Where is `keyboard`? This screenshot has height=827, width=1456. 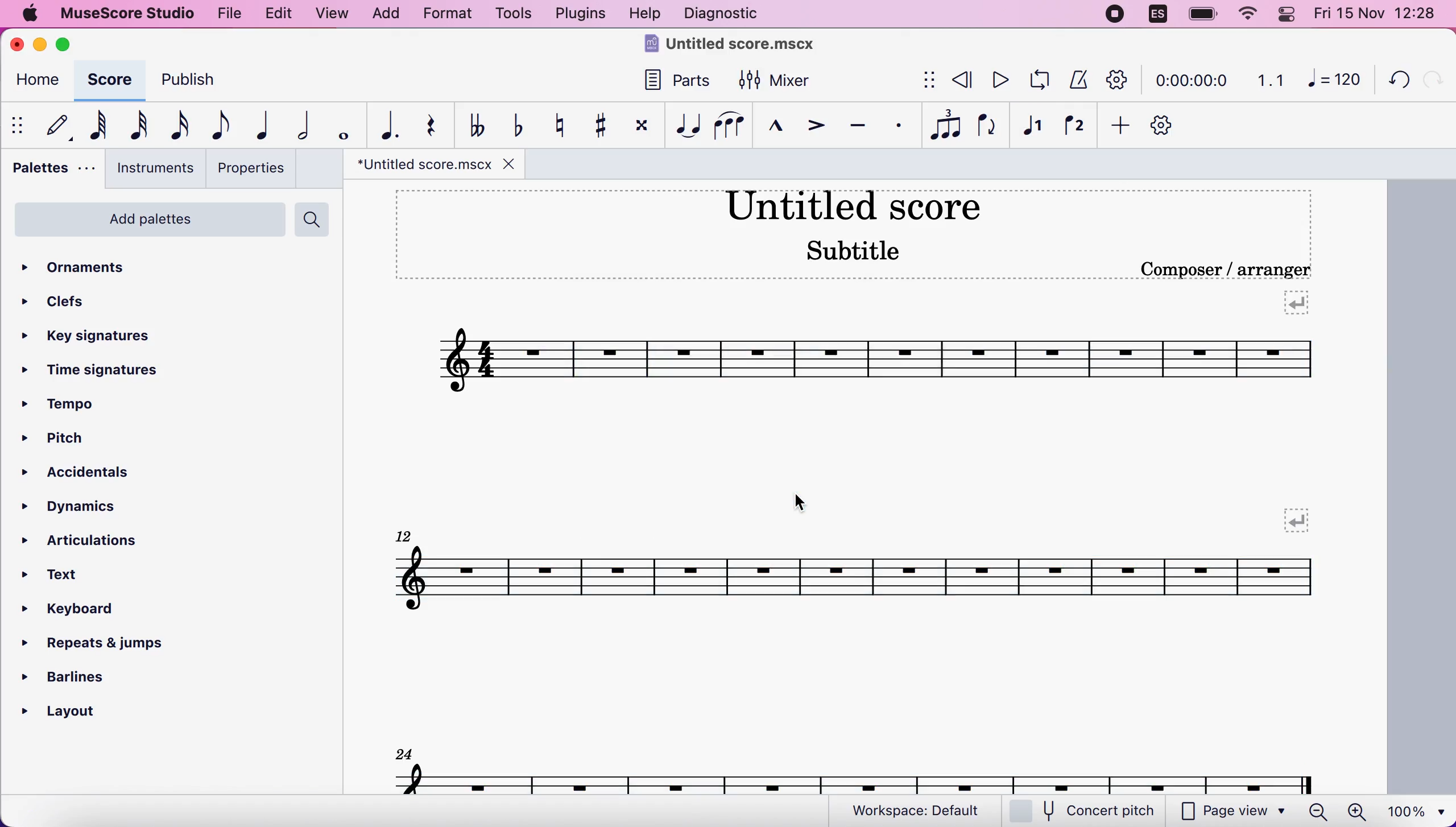 keyboard is located at coordinates (82, 611).